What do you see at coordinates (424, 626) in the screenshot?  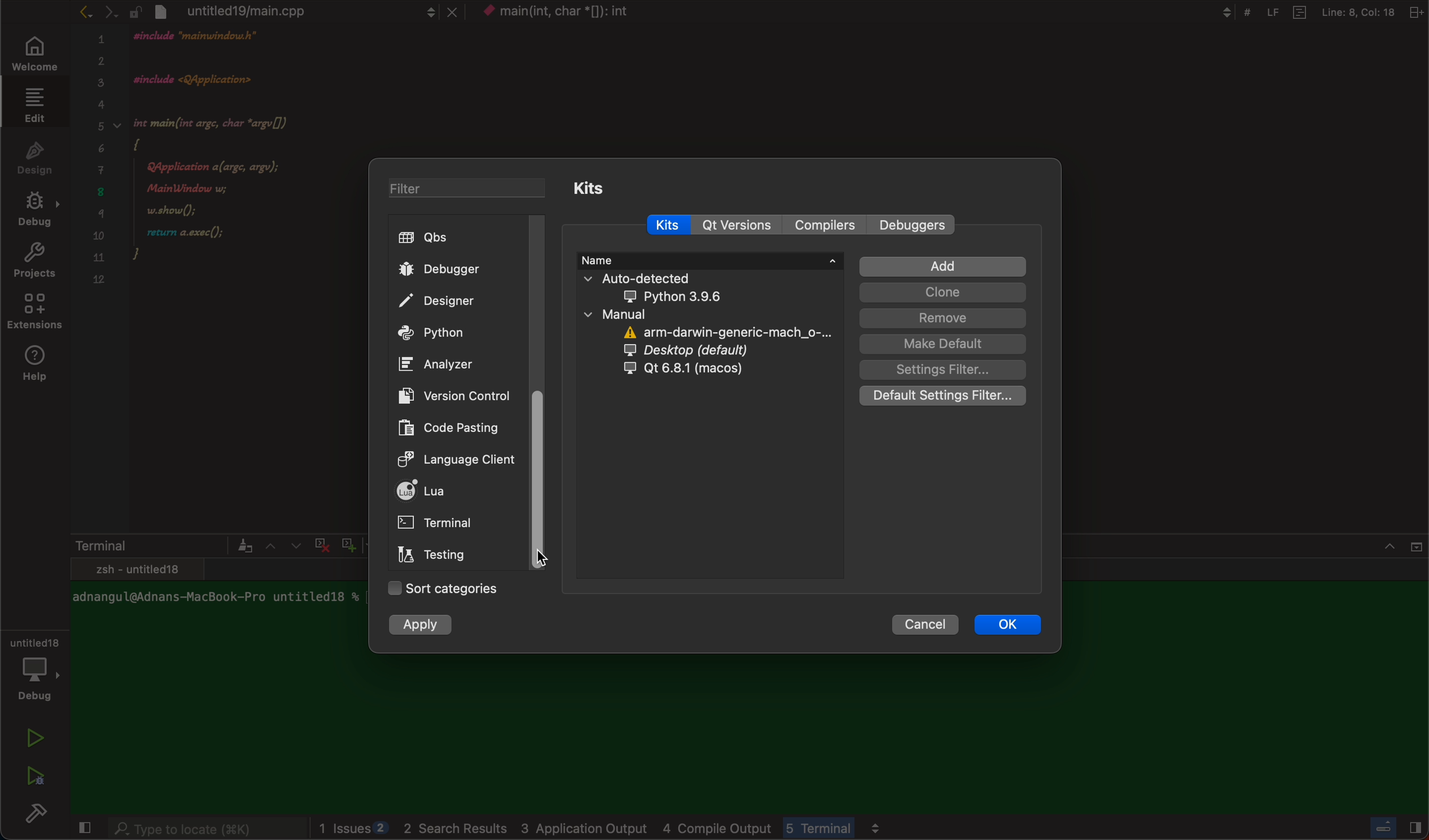 I see `apply` at bounding box center [424, 626].